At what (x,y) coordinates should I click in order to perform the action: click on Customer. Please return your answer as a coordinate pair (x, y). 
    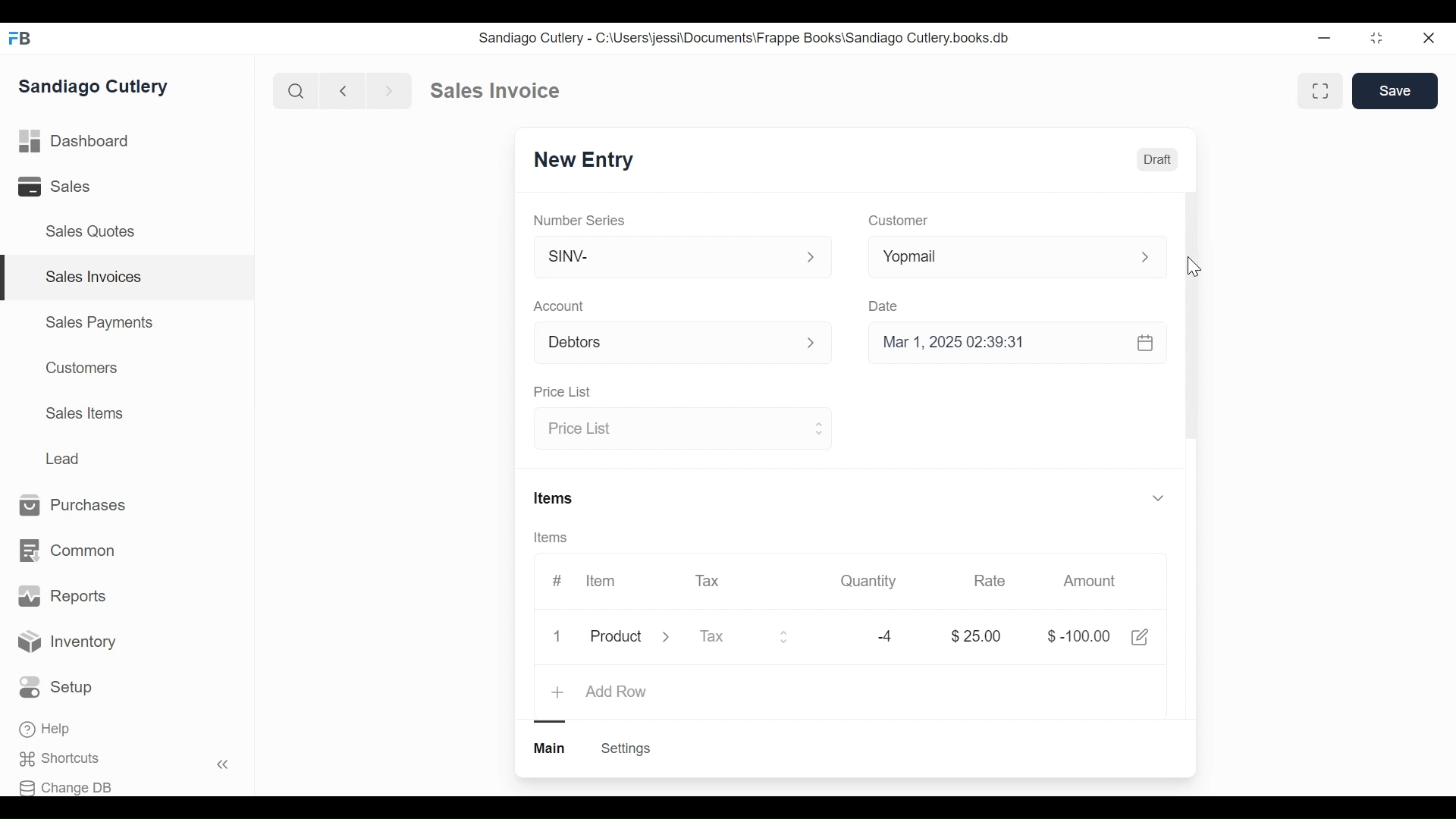
    Looking at the image, I should click on (901, 219).